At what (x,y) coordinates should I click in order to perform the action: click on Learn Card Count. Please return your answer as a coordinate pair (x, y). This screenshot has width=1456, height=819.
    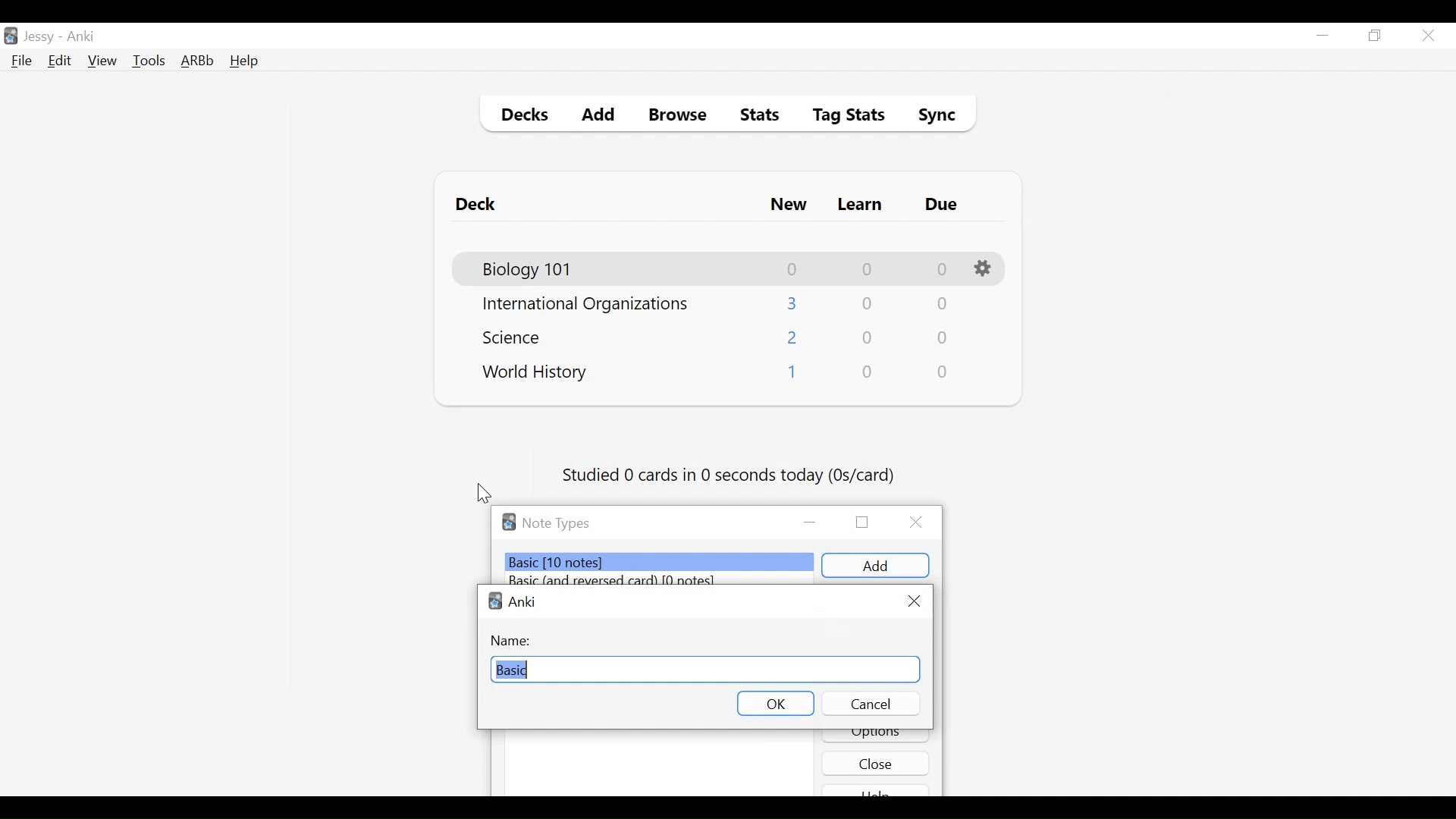
    Looking at the image, I should click on (868, 338).